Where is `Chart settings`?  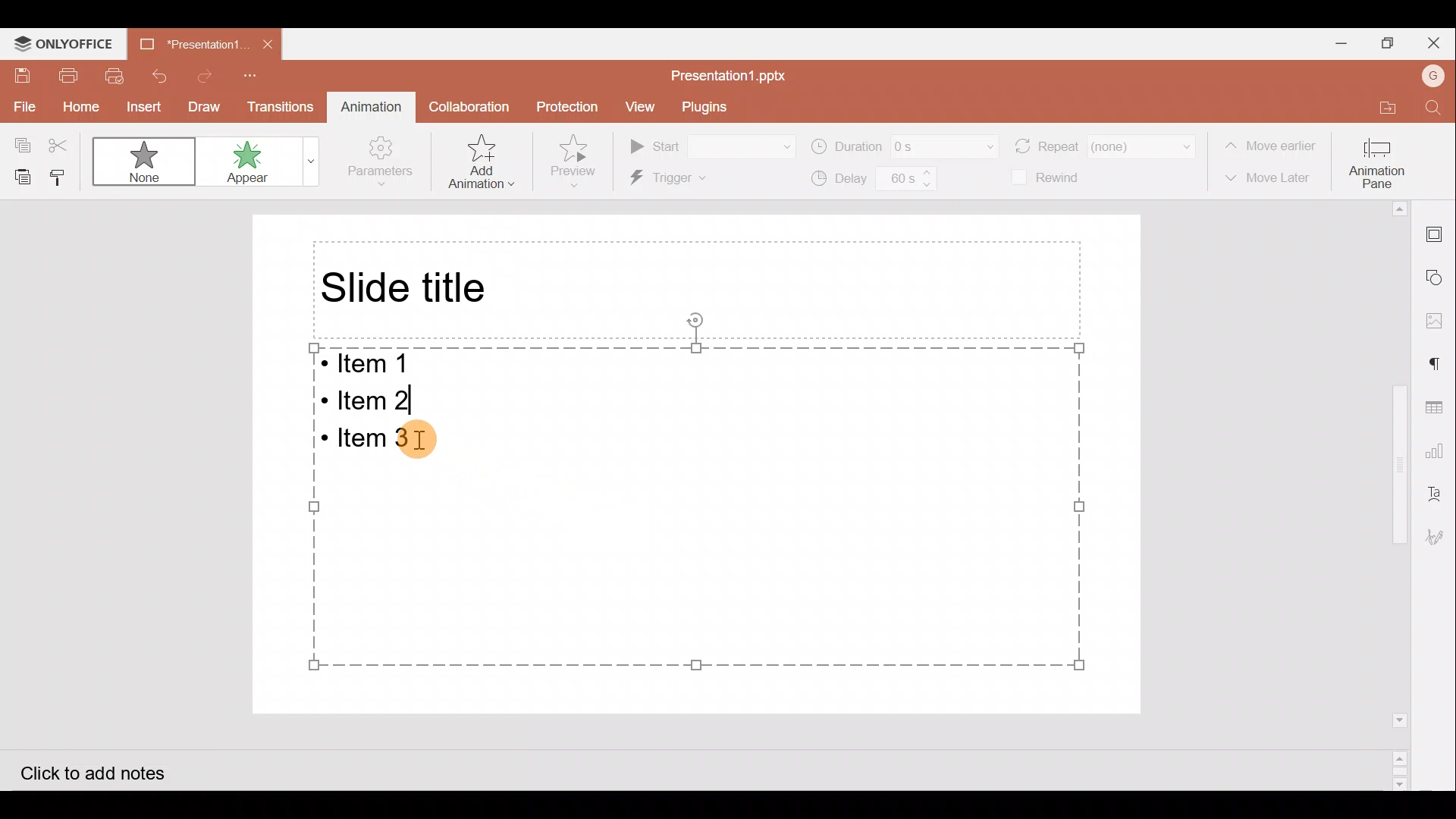 Chart settings is located at coordinates (1442, 447).